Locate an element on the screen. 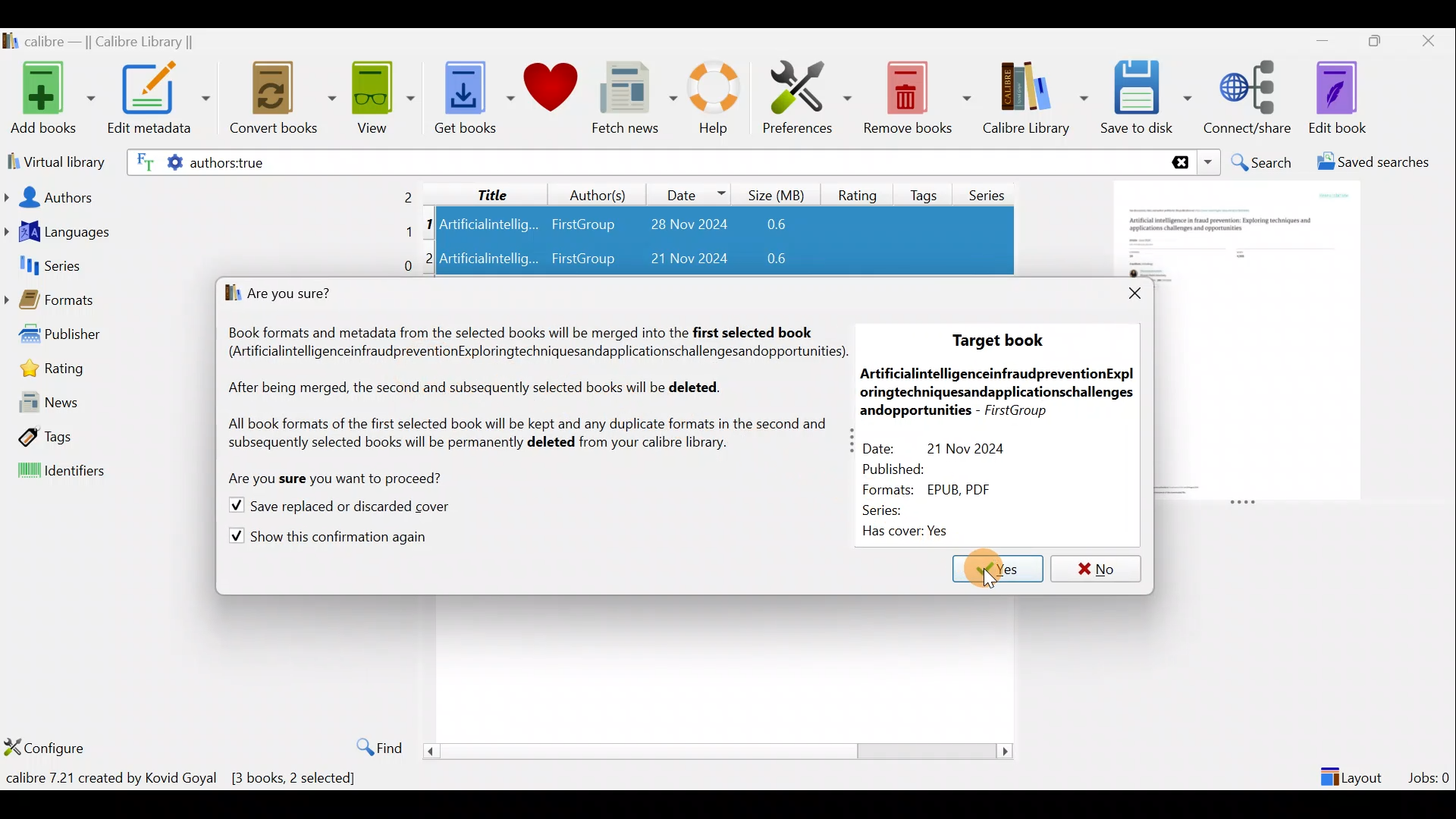 This screenshot has width=1456, height=819. Preview is located at coordinates (1260, 343).